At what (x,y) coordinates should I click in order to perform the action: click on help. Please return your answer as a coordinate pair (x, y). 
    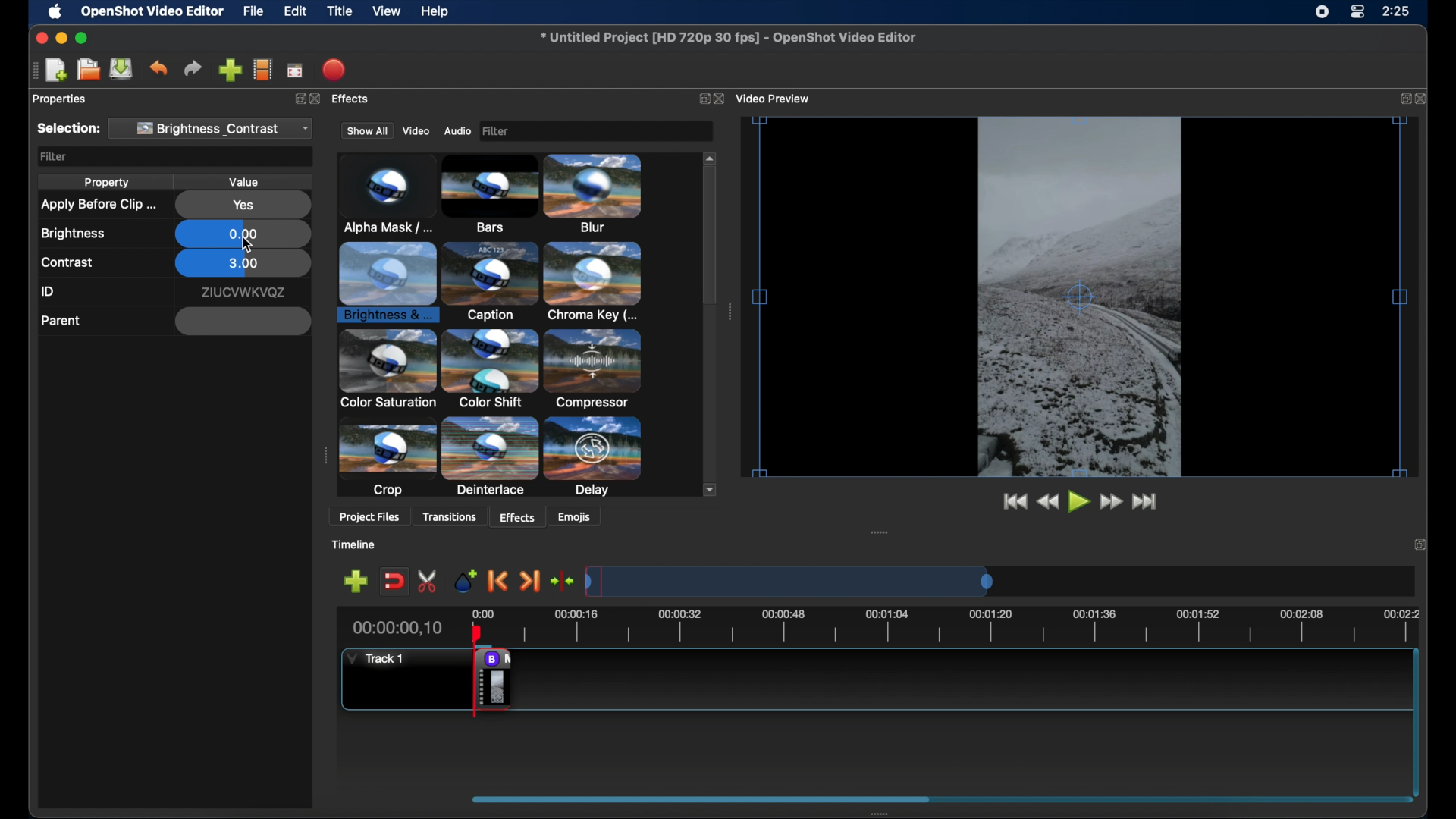
    Looking at the image, I should click on (437, 11).